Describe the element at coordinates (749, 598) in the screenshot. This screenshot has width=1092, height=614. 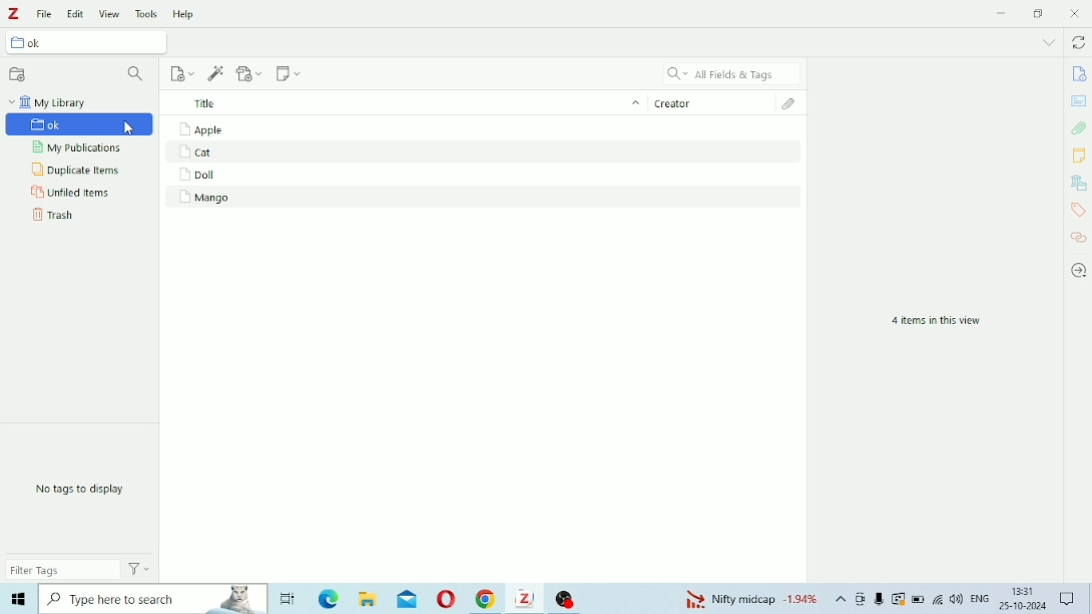
I see `Nifty midcap -1.94%` at that location.